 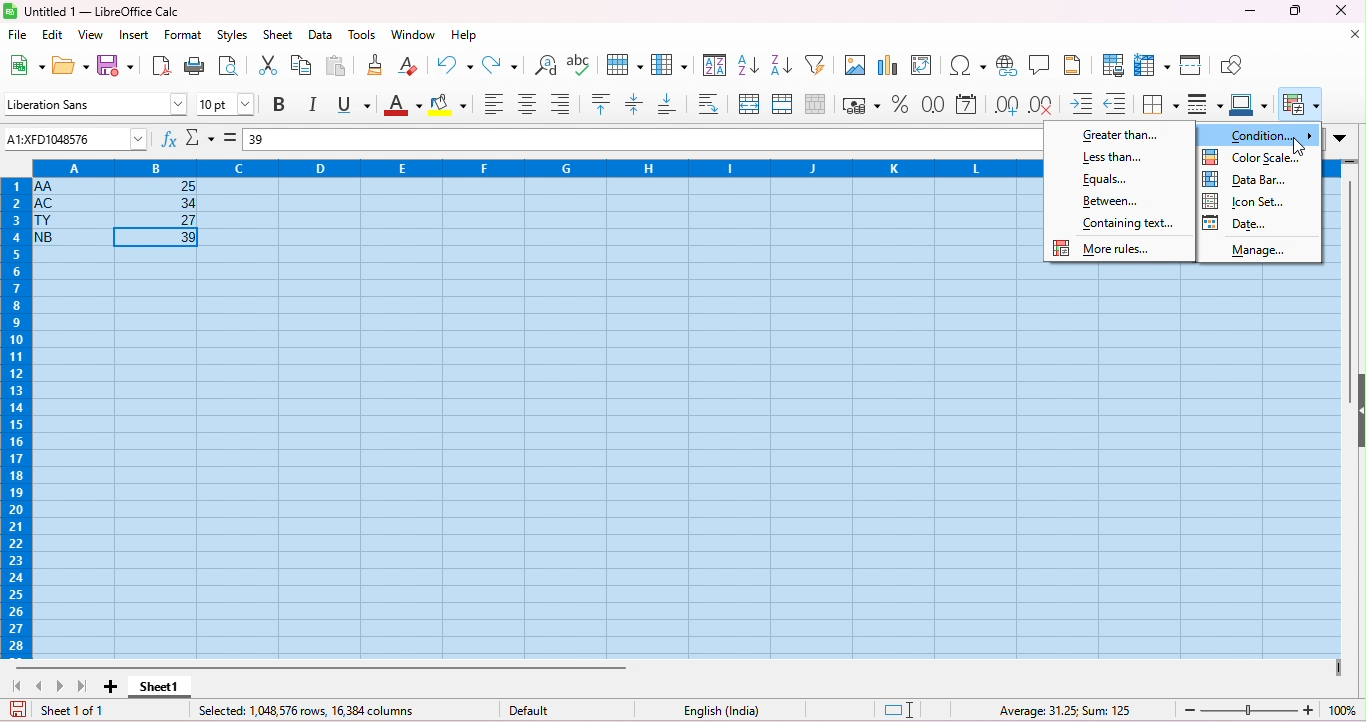 What do you see at coordinates (74, 711) in the screenshot?
I see `sheet 1 of 1` at bounding box center [74, 711].